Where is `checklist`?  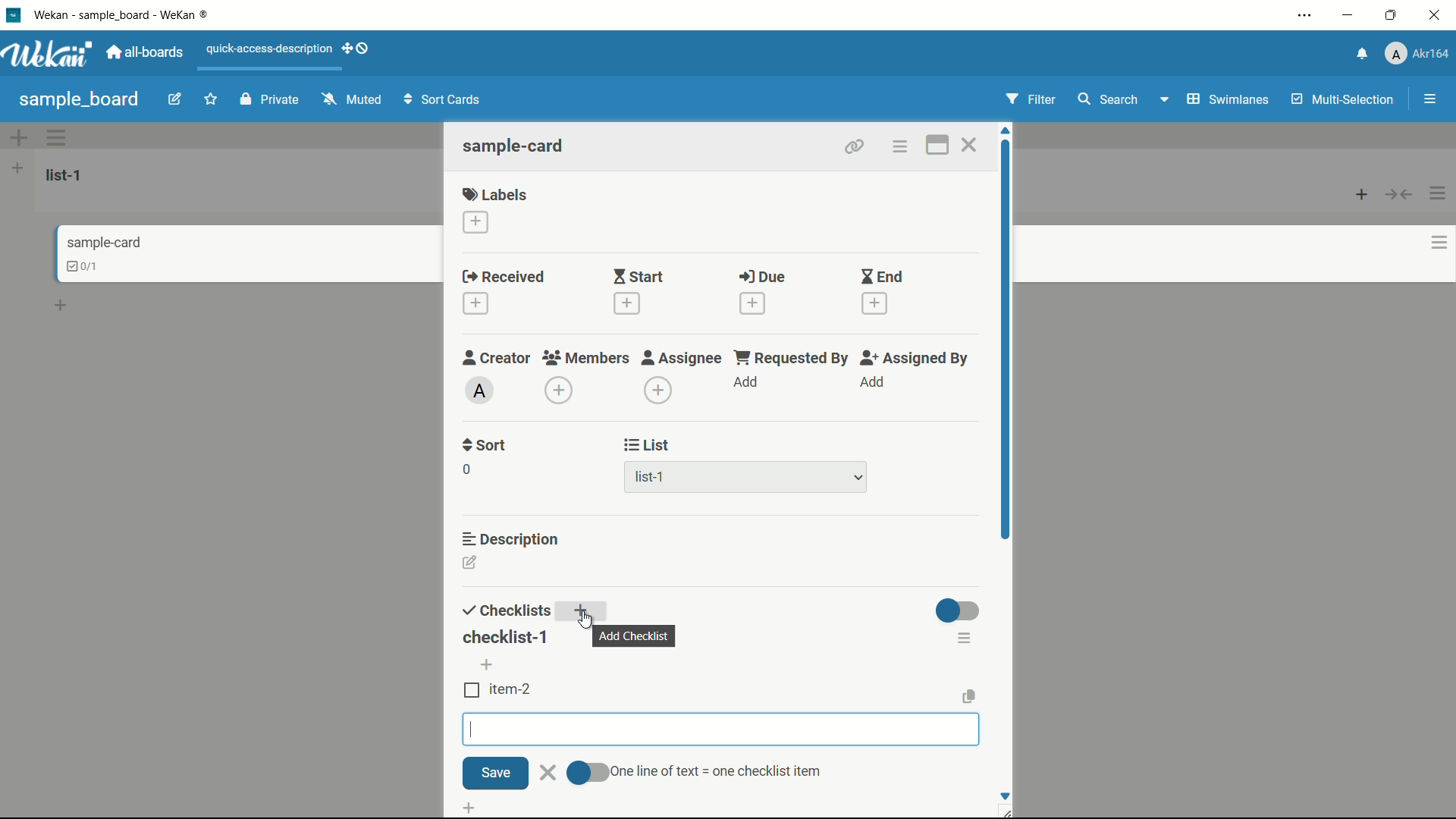 checklist is located at coordinates (504, 611).